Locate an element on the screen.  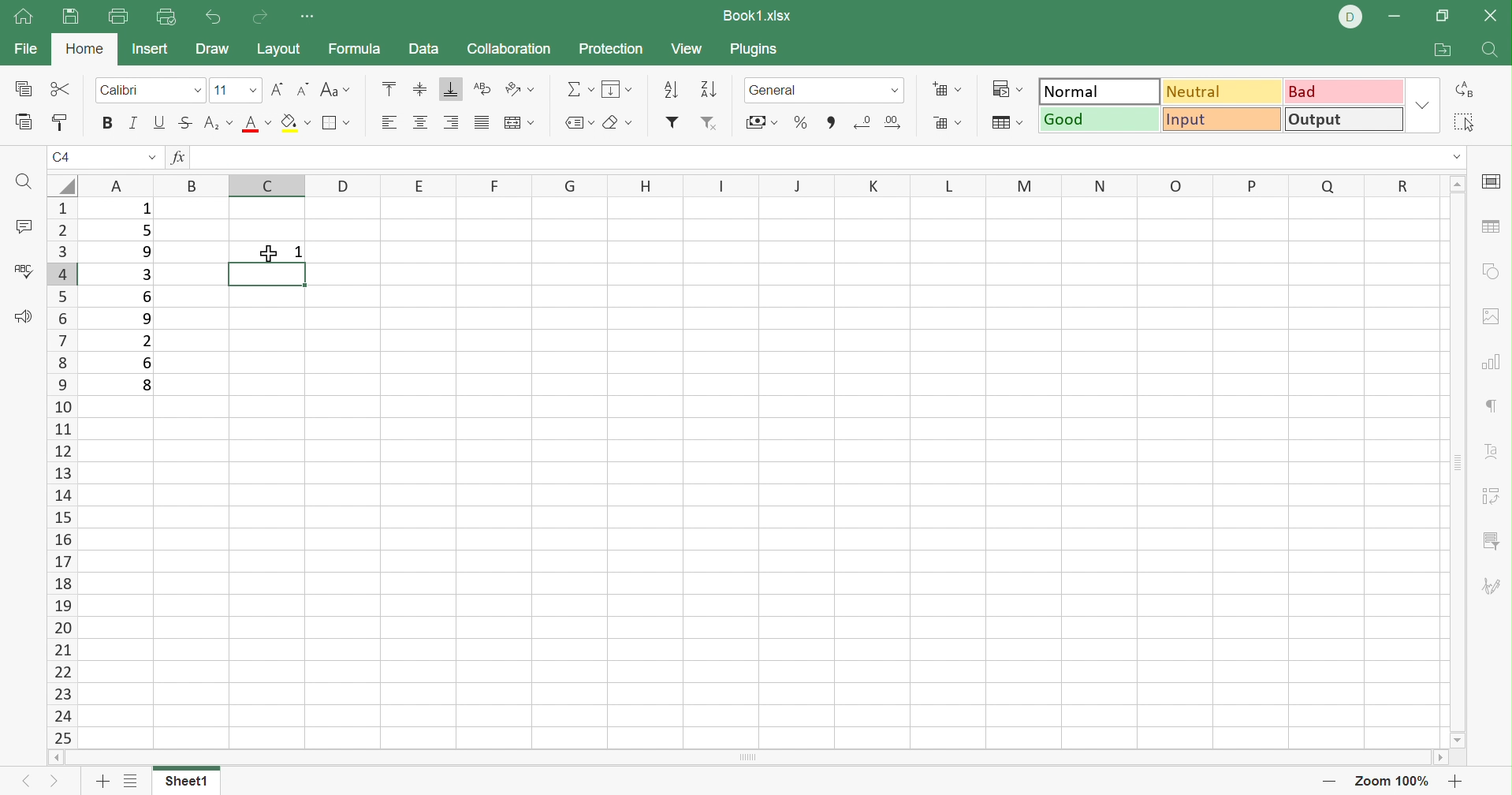
Slicer settings is located at coordinates (1495, 494).